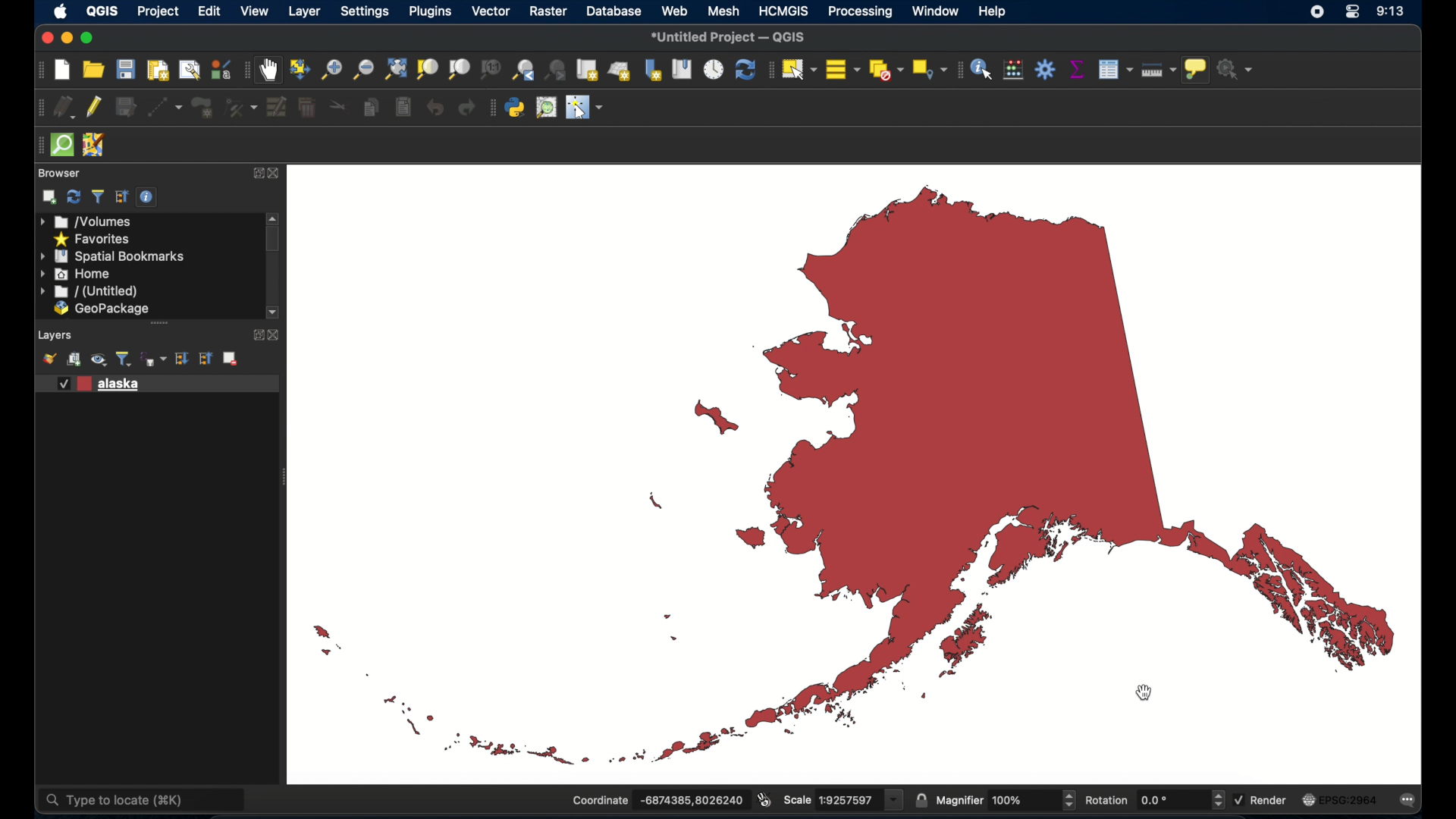 The height and width of the screenshot is (819, 1456). Describe the element at coordinates (467, 109) in the screenshot. I see `redo` at that location.